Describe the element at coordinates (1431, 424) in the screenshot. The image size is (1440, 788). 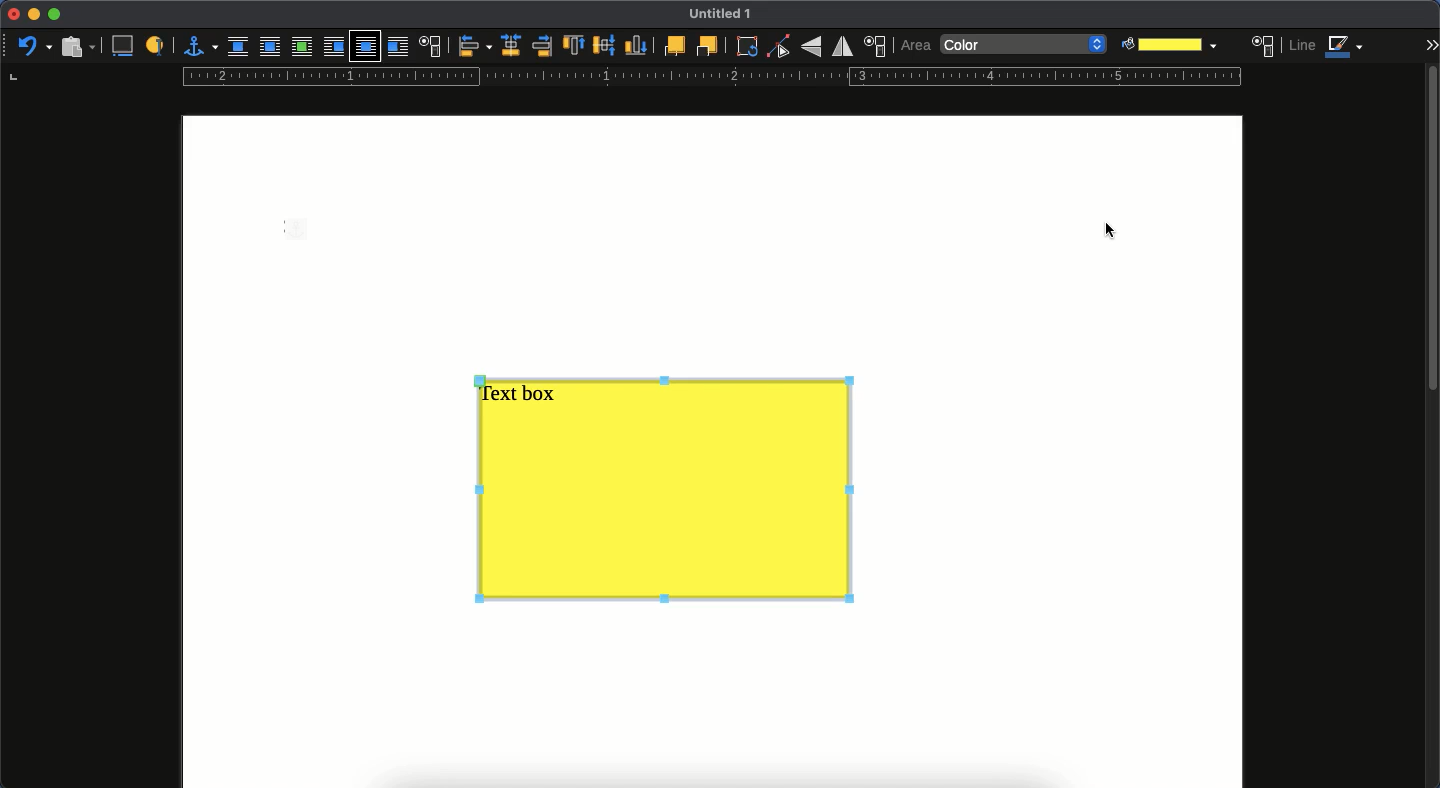
I see `scroll` at that location.